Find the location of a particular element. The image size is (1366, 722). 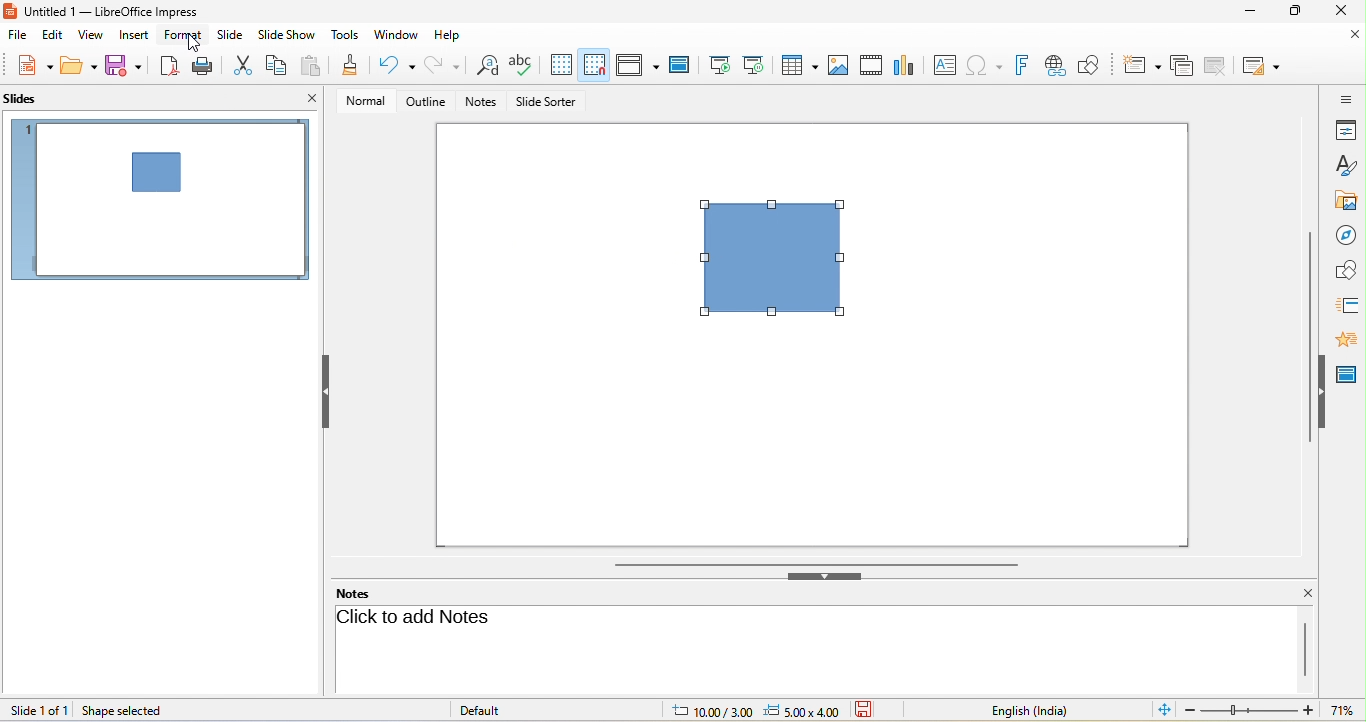

fit slide to current window is located at coordinates (1161, 710).